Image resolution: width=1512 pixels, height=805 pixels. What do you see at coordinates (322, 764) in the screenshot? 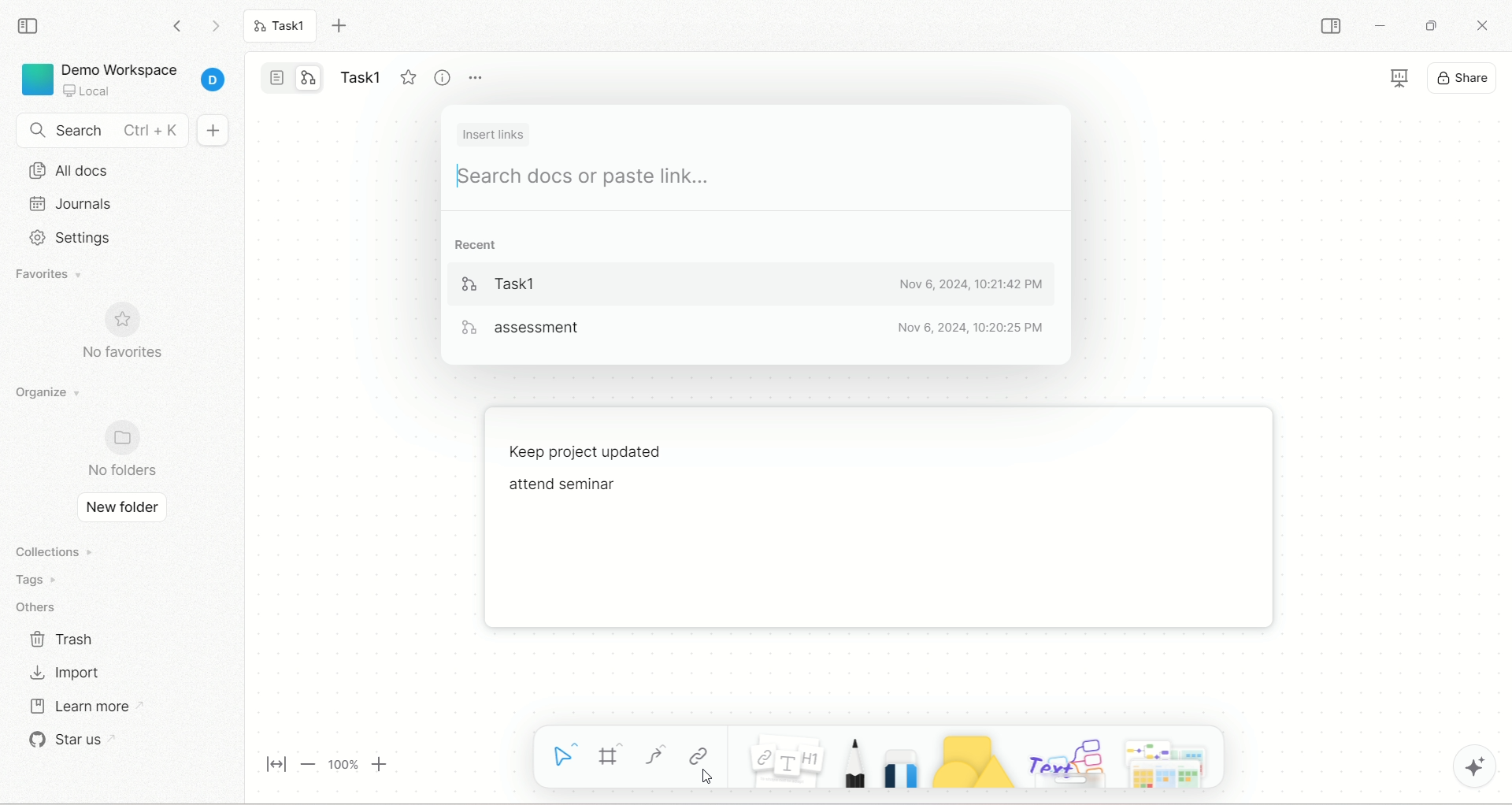
I see `page zoom` at bounding box center [322, 764].